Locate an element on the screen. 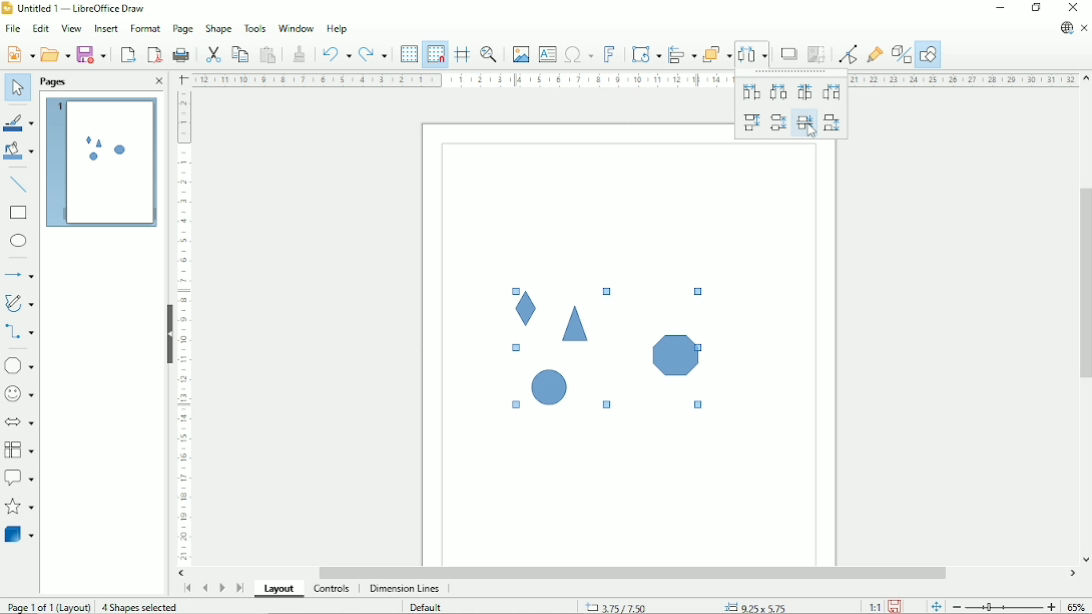  Undo is located at coordinates (336, 55).